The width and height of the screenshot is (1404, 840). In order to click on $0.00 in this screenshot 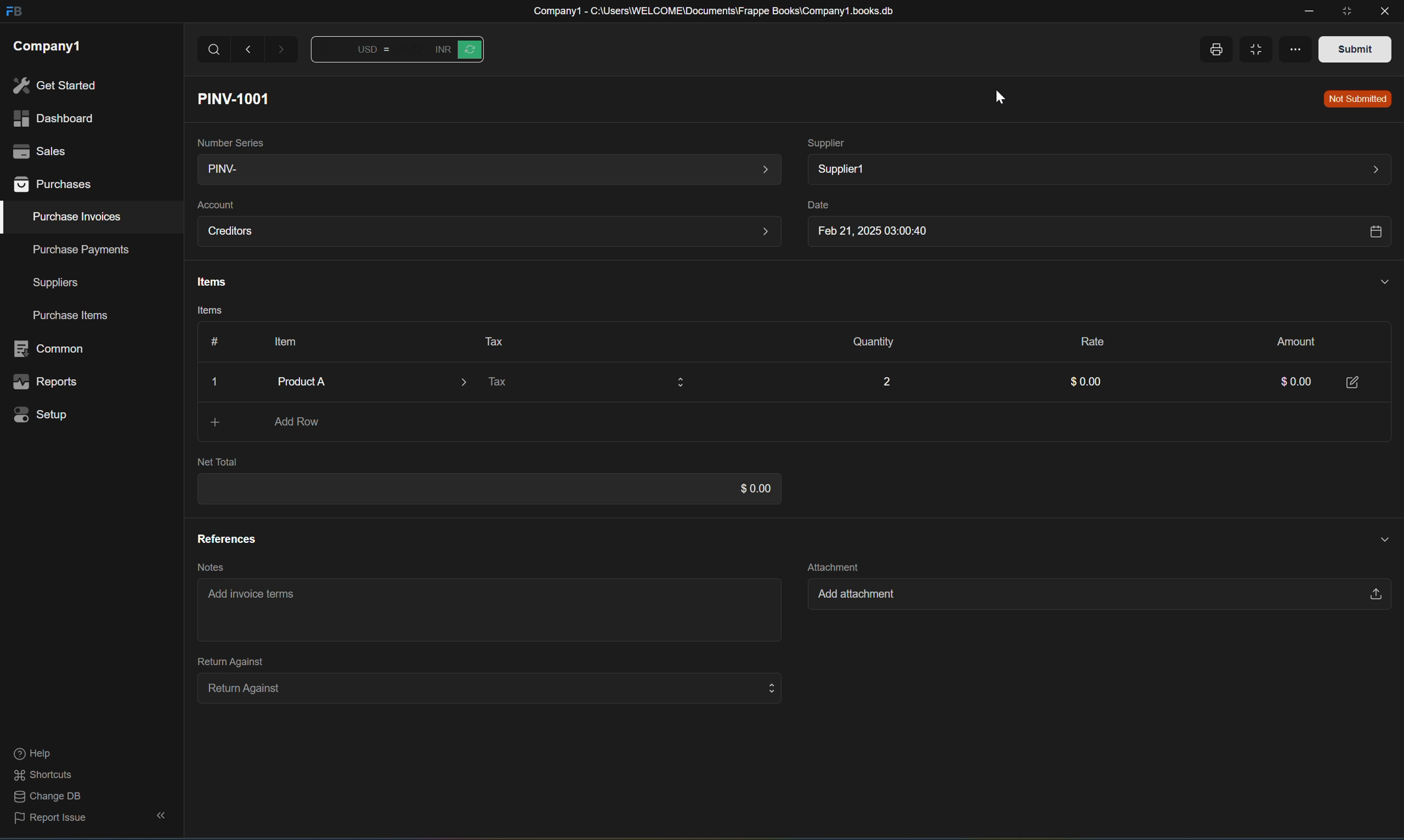, I will do `click(749, 488)`.